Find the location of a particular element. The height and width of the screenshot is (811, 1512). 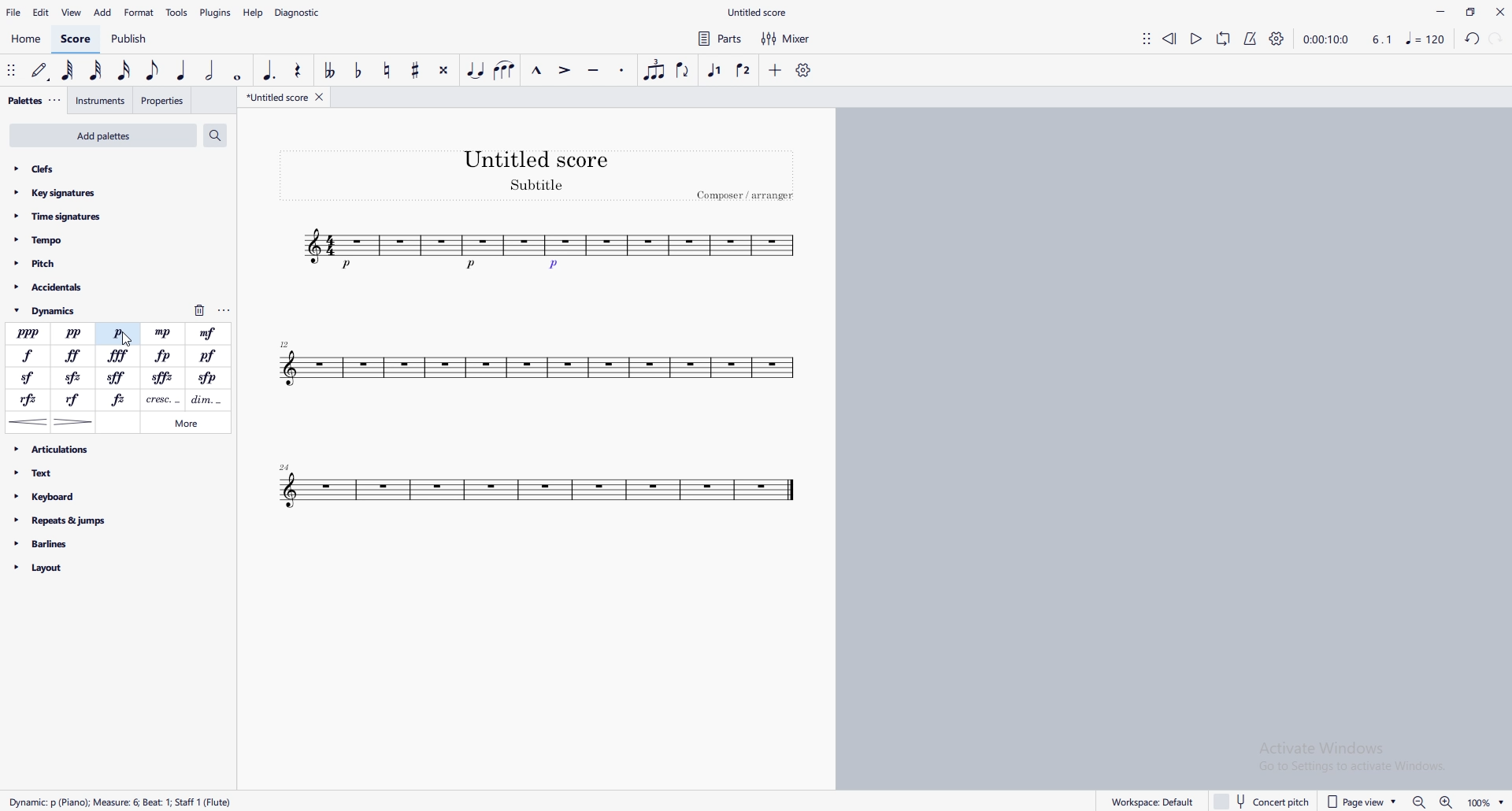

cursor is located at coordinates (124, 335).